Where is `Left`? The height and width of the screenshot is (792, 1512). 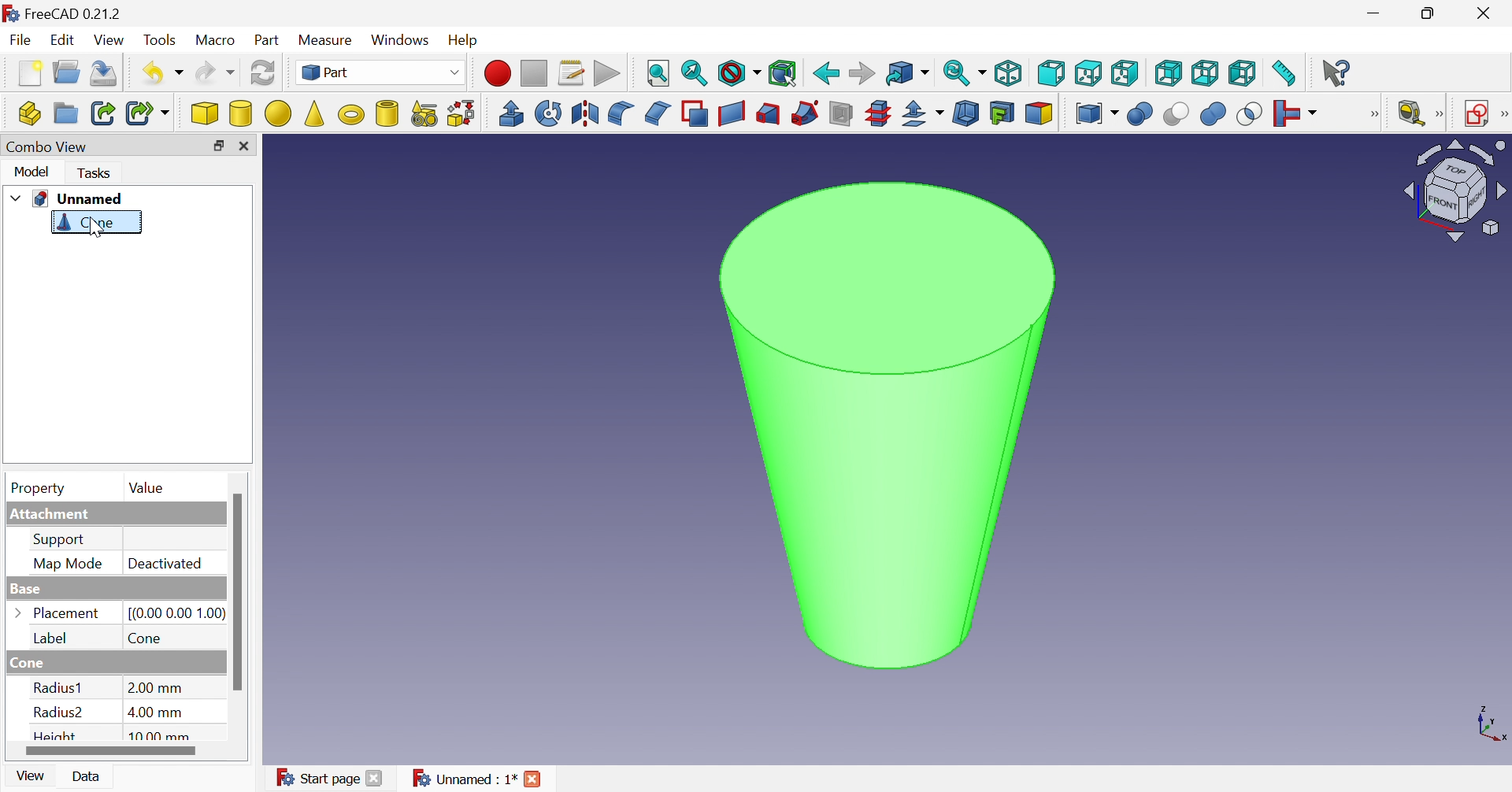
Left is located at coordinates (1242, 73).